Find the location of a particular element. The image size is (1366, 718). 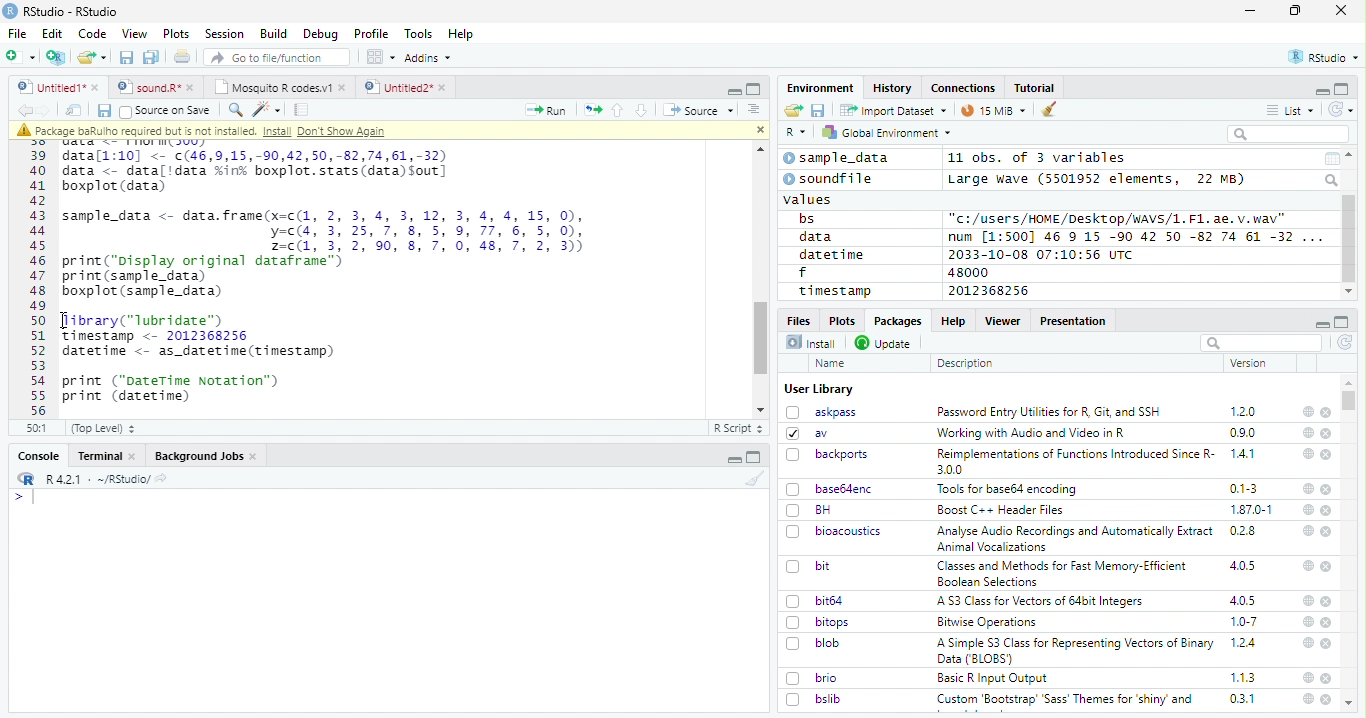

base64enc is located at coordinates (830, 488).